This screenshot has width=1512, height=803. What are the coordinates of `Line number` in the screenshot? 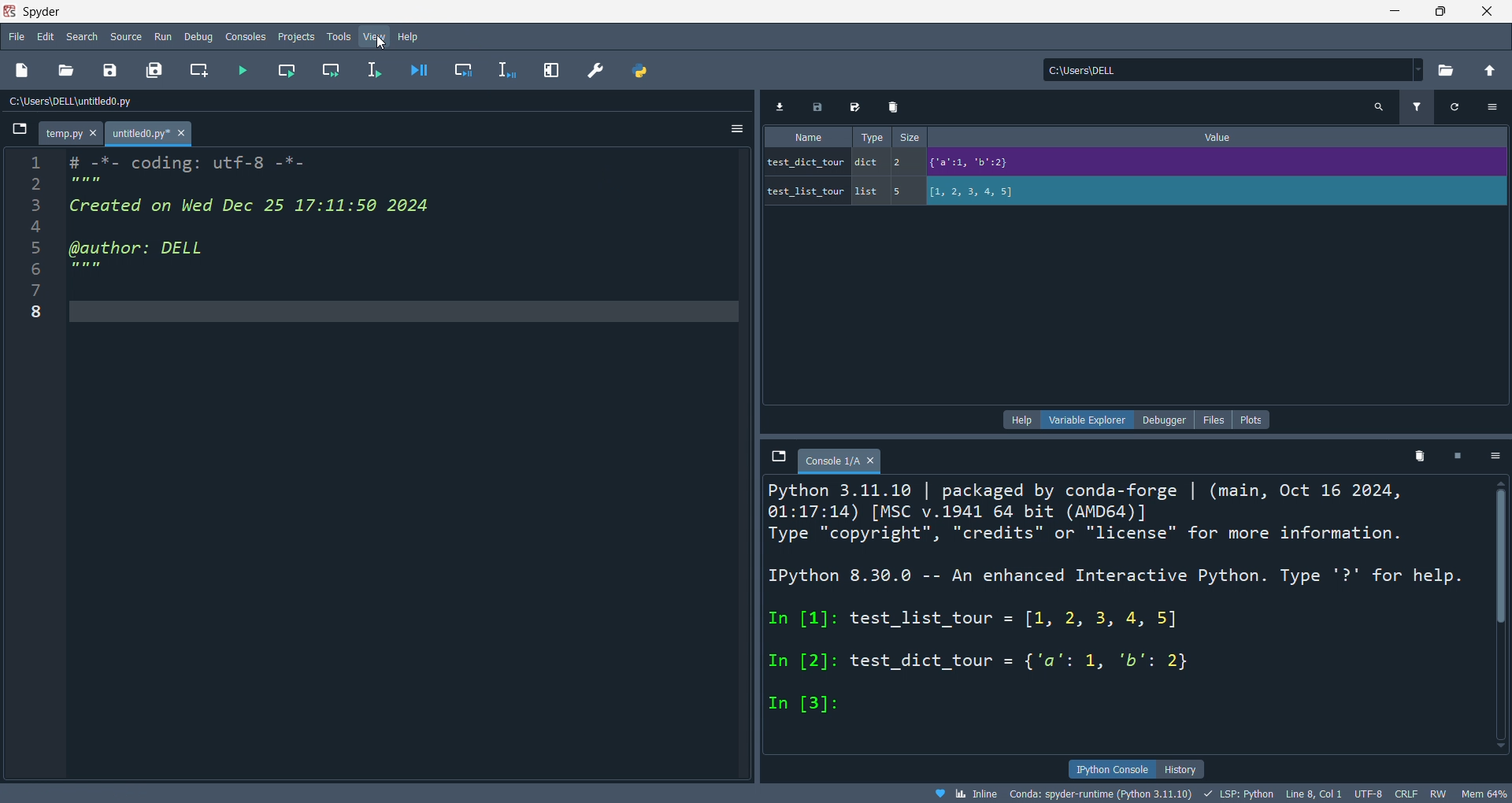 It's located at (35, 242).